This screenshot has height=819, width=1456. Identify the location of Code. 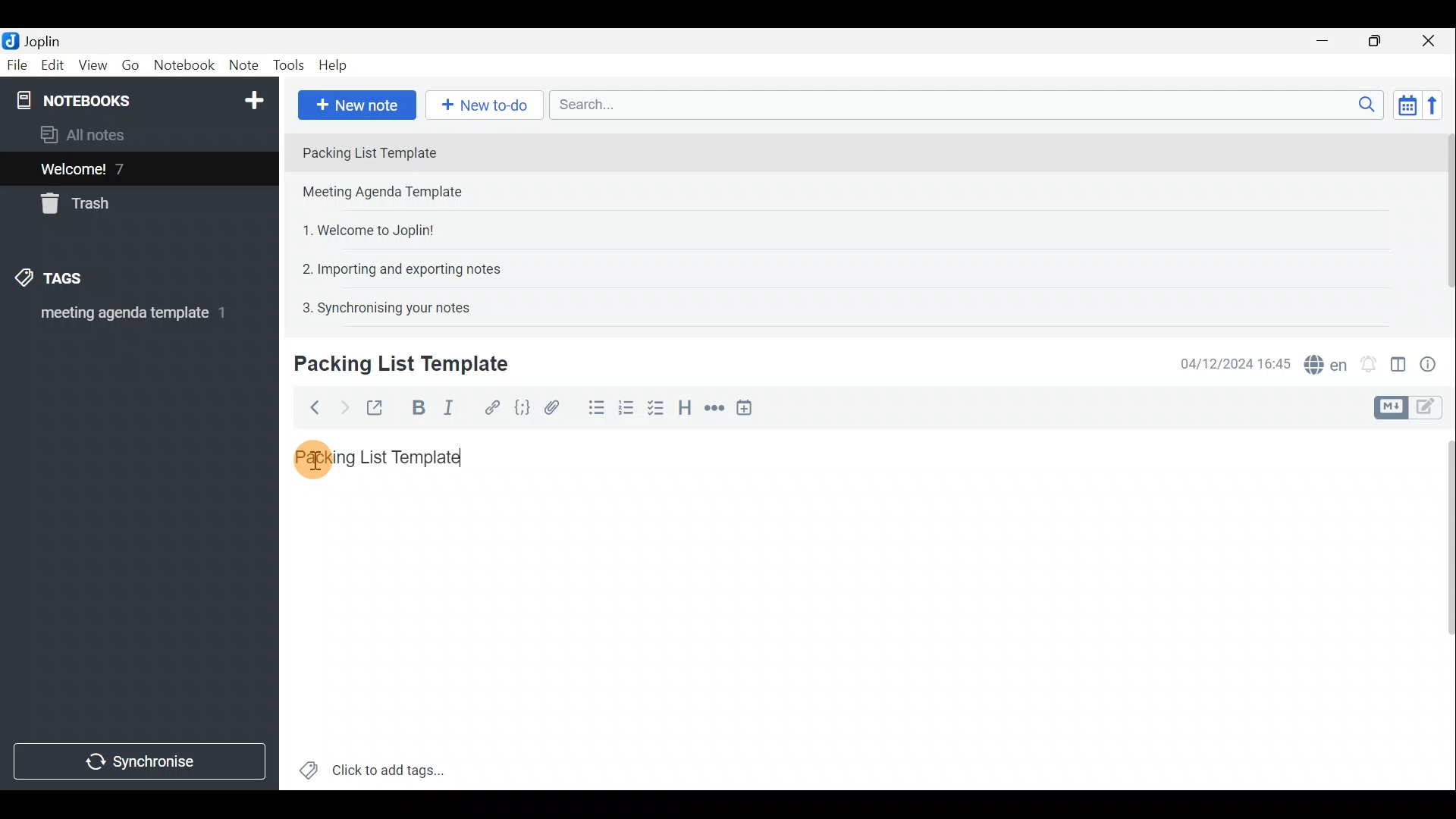
(522, 406).